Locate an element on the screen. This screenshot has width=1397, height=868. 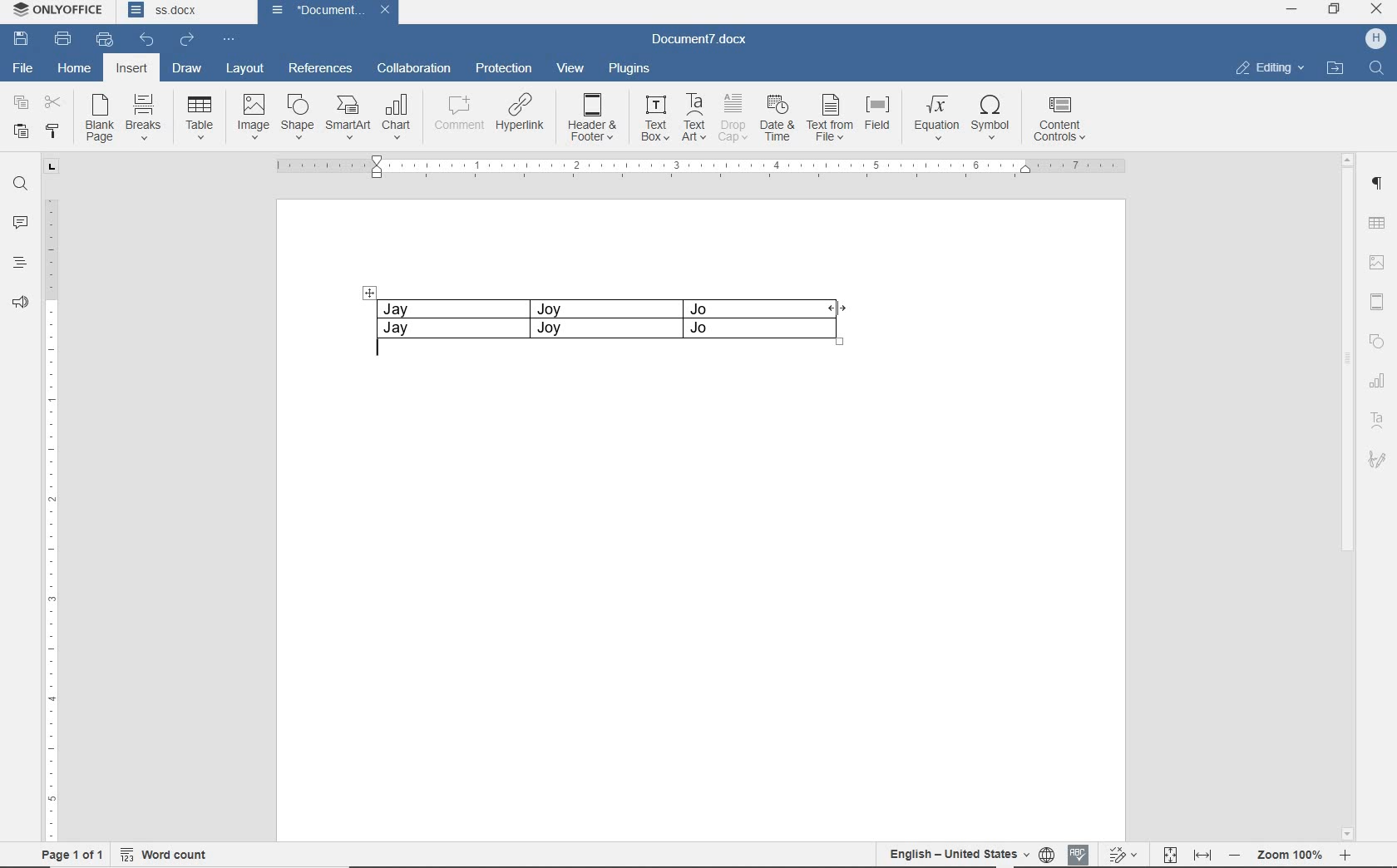
SMARTART is located at coordinates (347, 118).